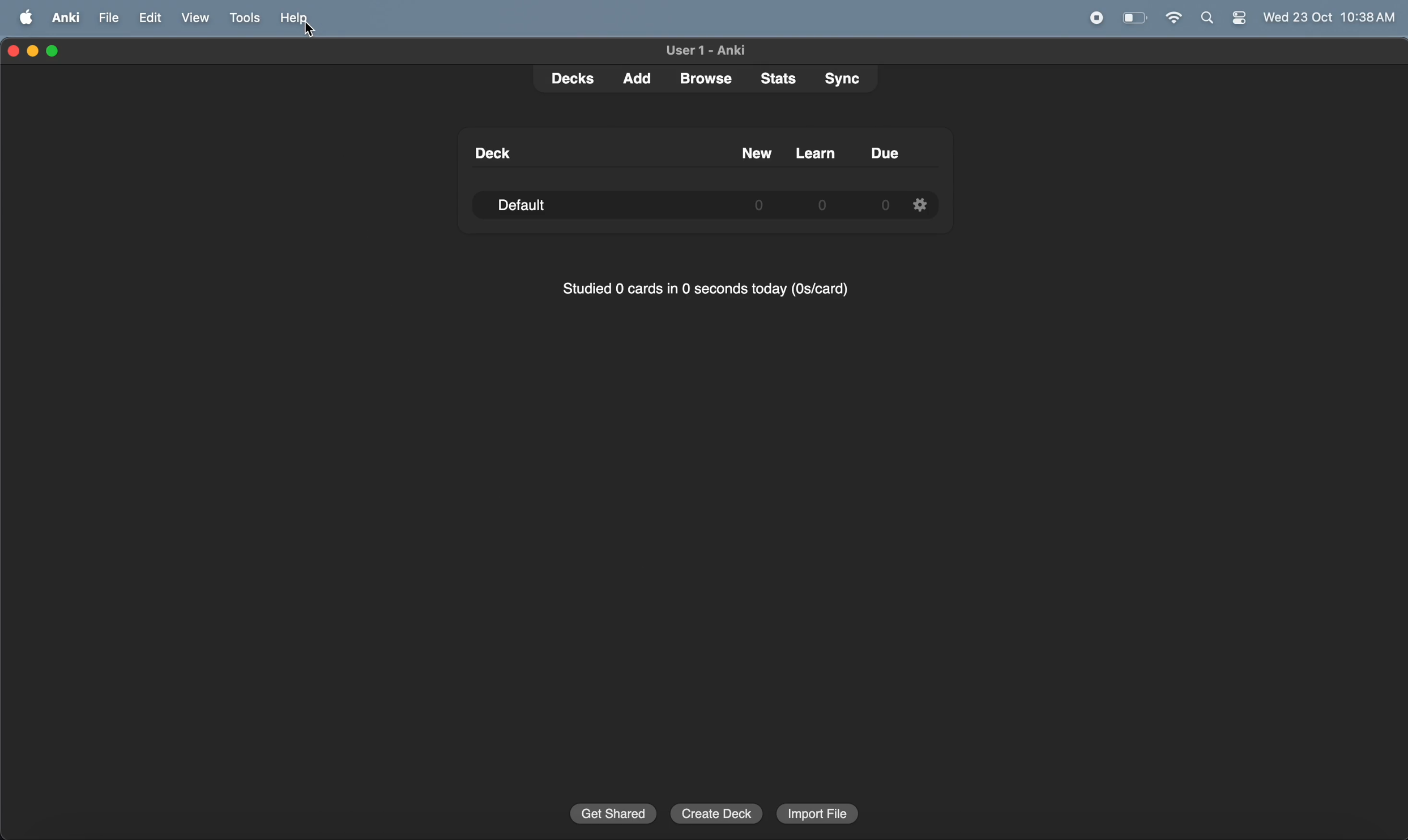 This screenshot has height=840, width=1408. What do you see at coordinates (34, 52) in the screenshot?
I see `minimize` at bounding box center [34, 52].